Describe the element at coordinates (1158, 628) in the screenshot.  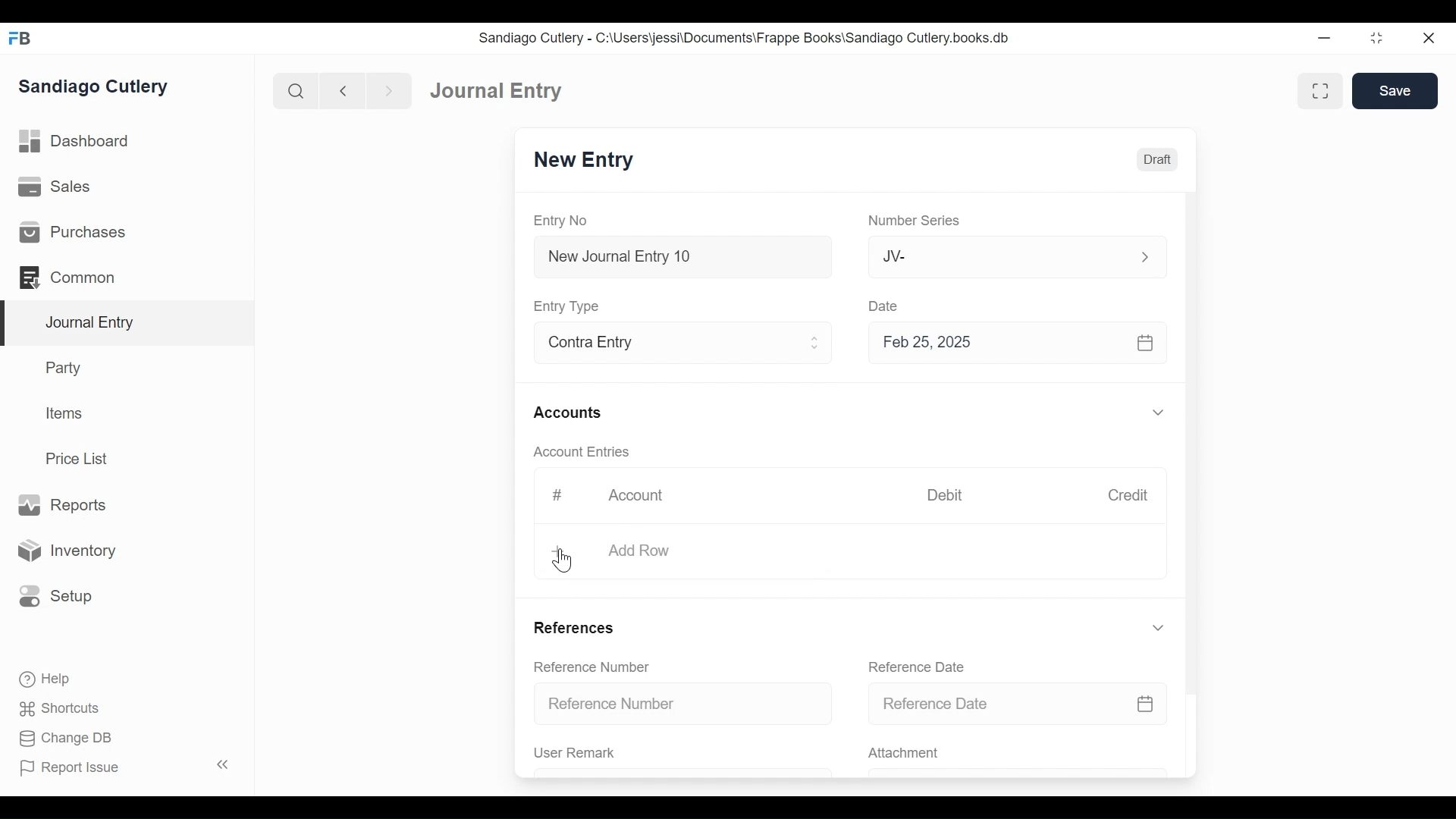
I see `Expand` at that location.